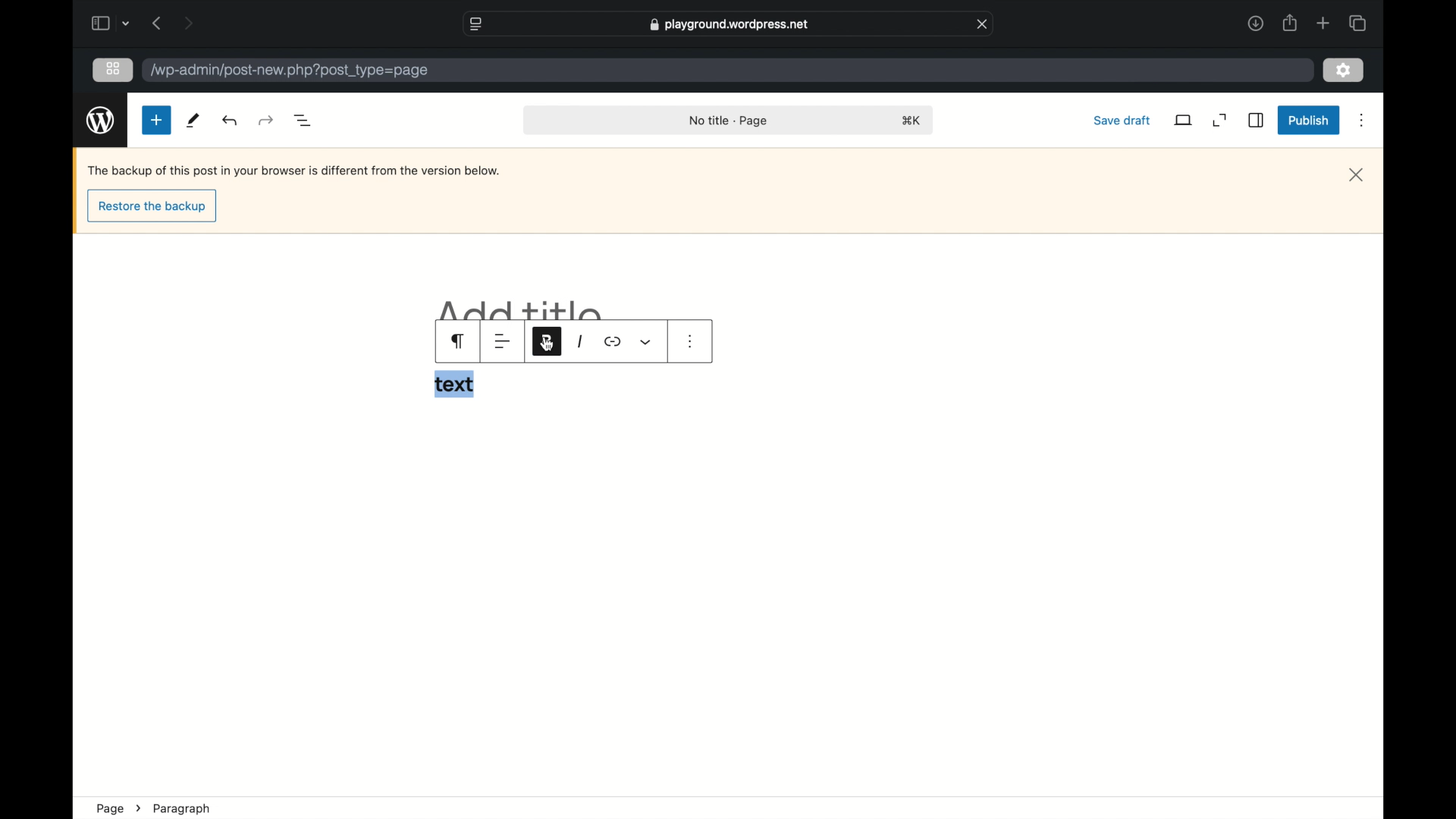 The image size is (1456, 819). I want to click on wordpress, so click(100, 120).